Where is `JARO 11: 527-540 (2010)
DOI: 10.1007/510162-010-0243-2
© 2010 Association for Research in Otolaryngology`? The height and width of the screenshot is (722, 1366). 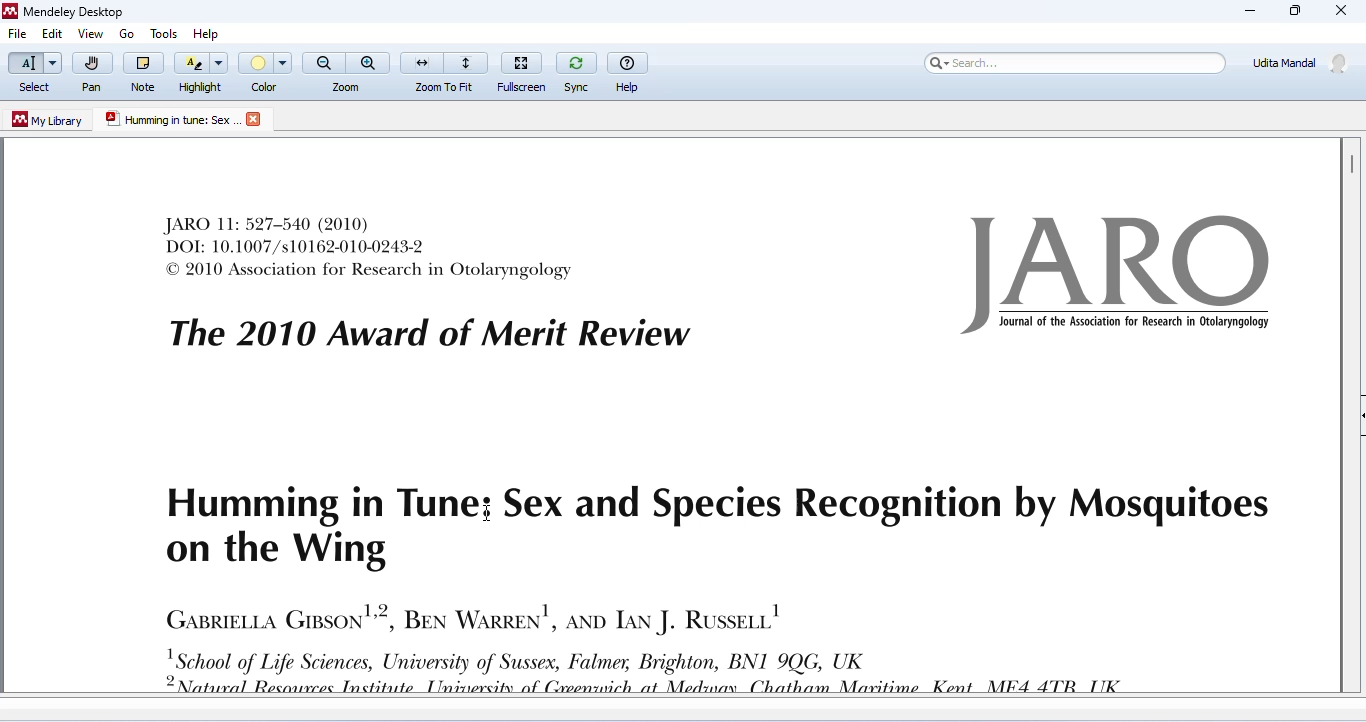 JARO 11: 527-540 (2010)
DOI: 10.1007/510162-010-0243-2
© 2010 Association for Research in Otolaryngology is located at coordinates (370, 247).